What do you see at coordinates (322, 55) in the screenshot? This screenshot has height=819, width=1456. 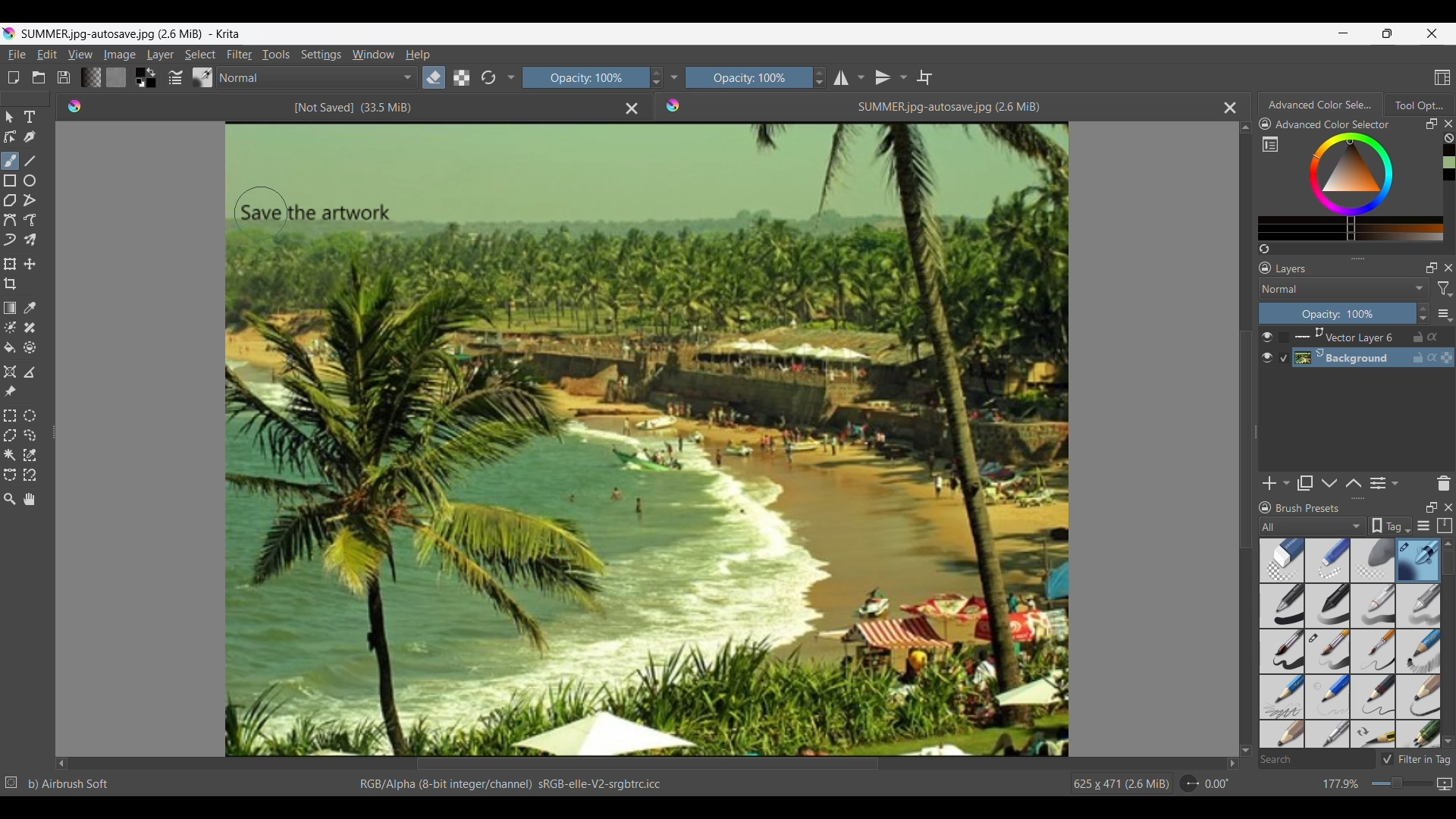 I see `Settings` at bounding box center [322, 55].